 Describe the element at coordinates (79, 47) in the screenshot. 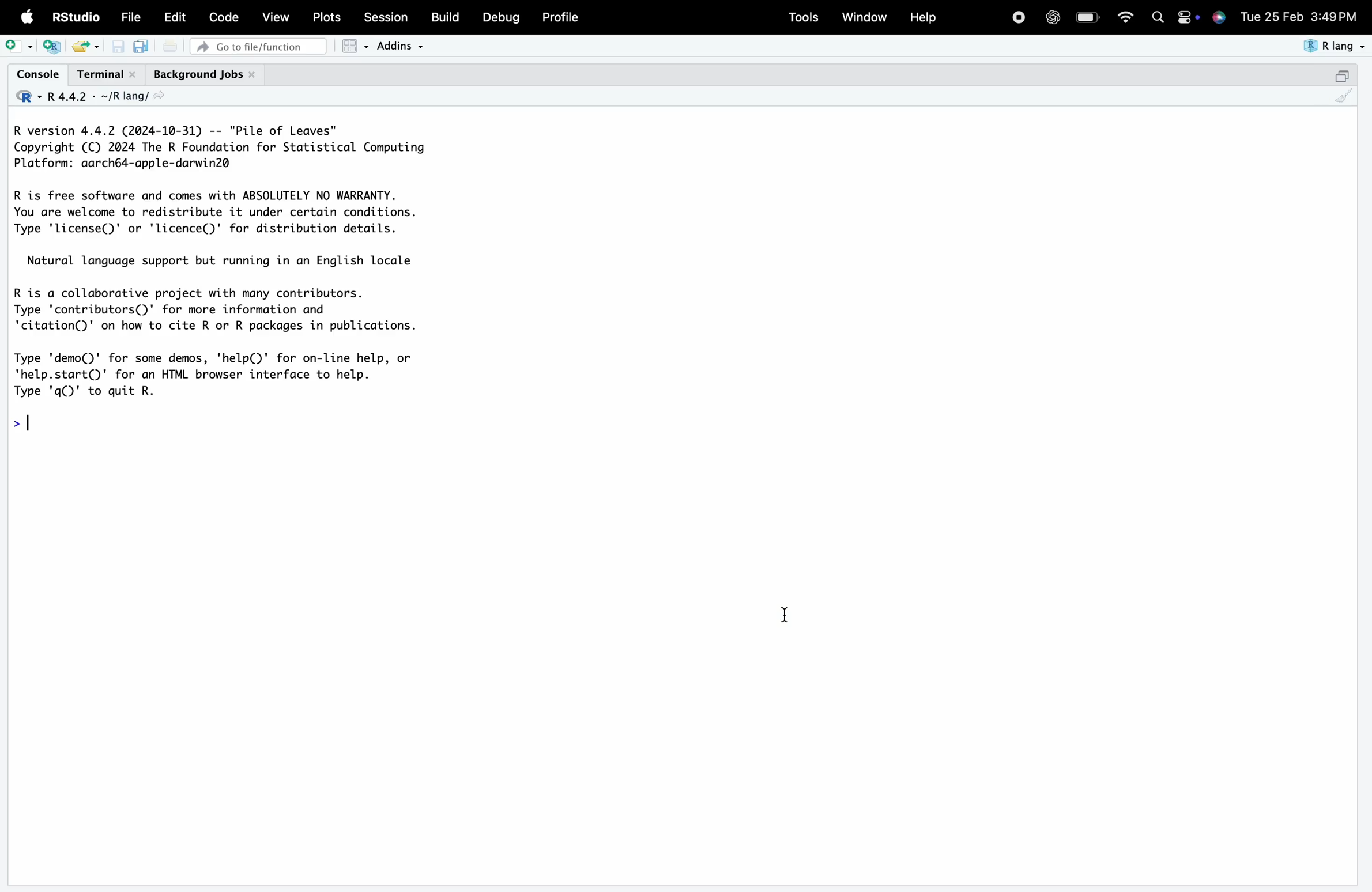

I see `open an existing file` at that location.